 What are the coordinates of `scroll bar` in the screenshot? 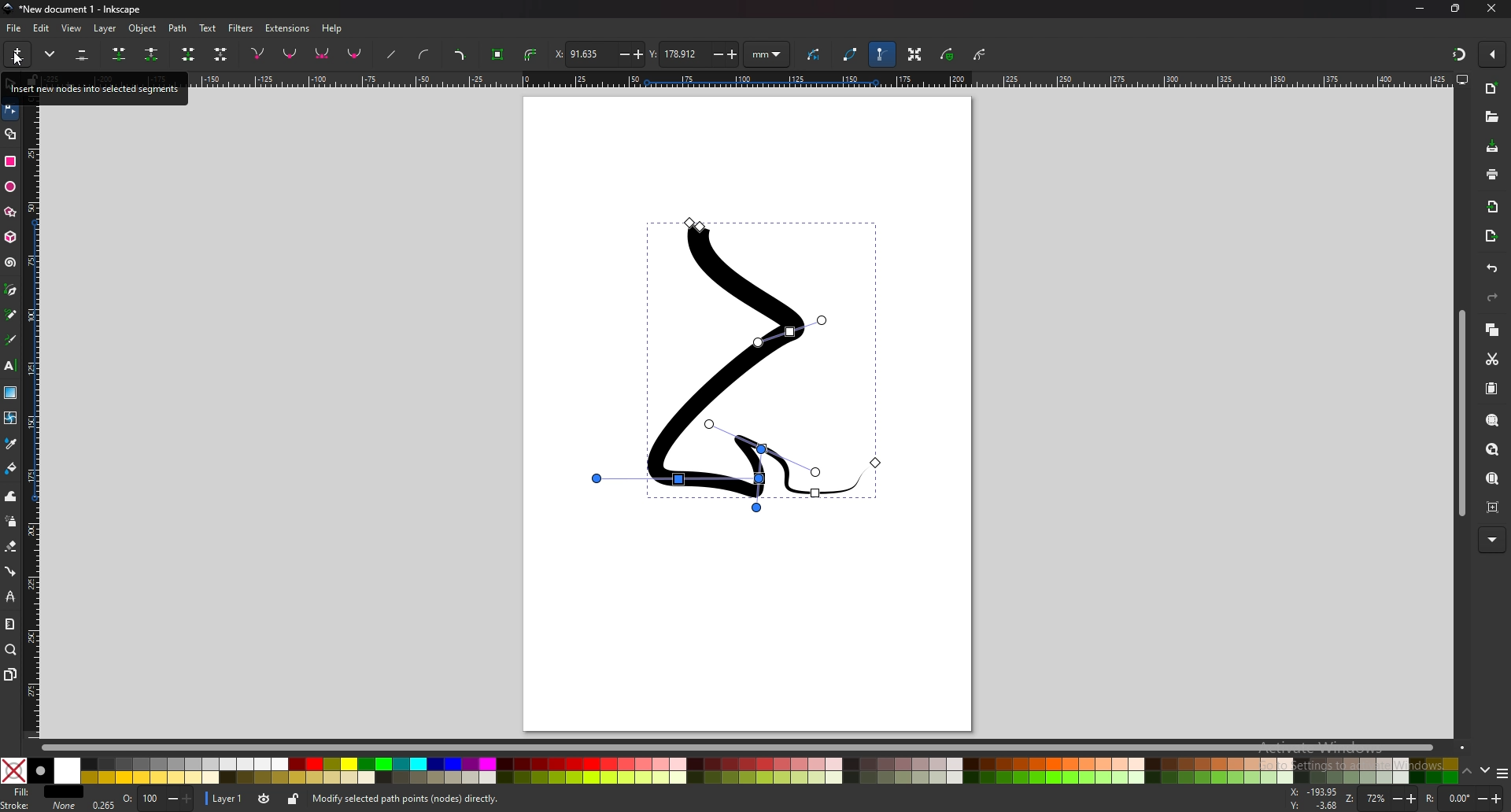 It's located at (1459, 415).